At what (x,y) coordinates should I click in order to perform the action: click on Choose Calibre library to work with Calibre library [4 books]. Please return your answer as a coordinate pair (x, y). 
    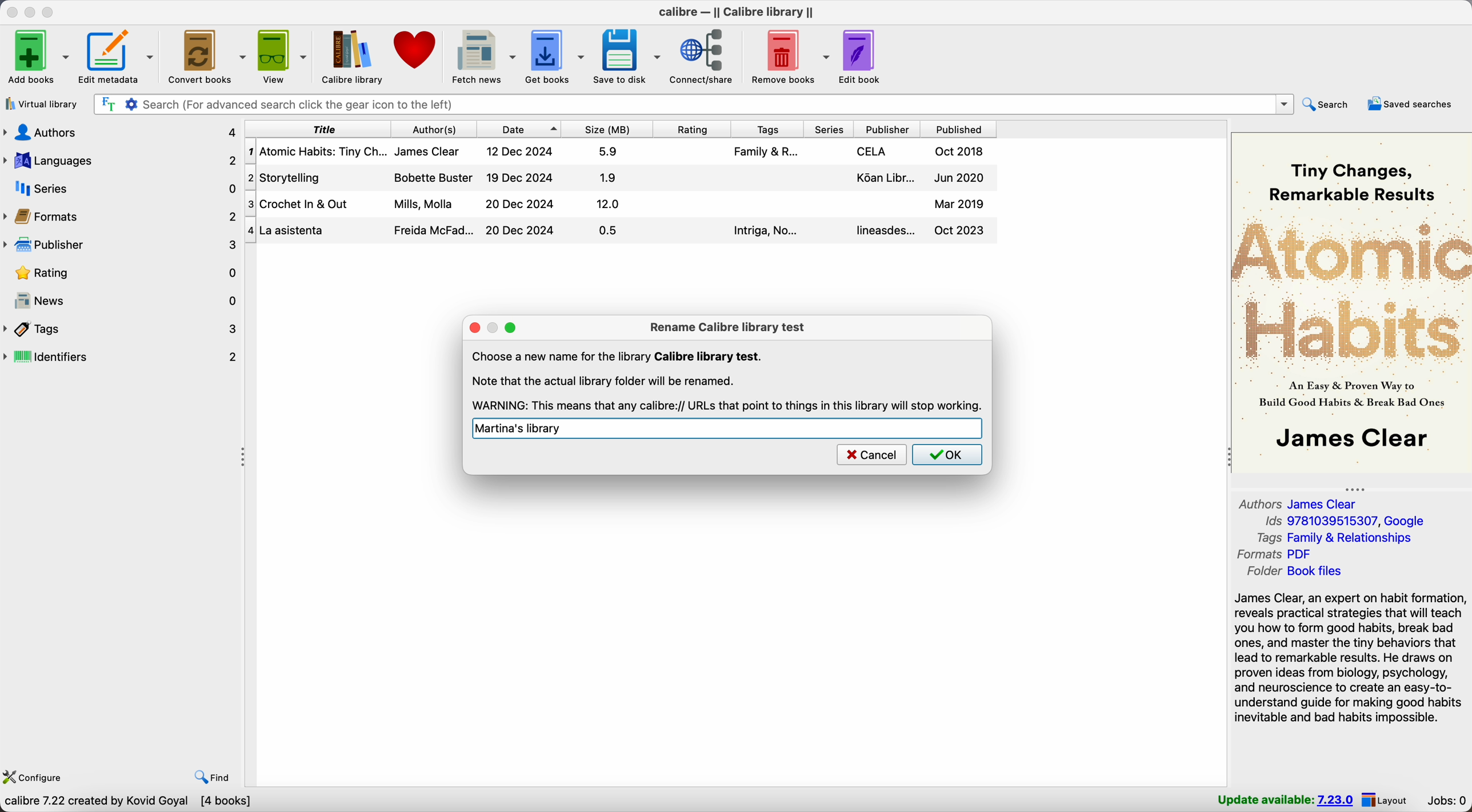
    Looking at the image, I should click on (167, 802).